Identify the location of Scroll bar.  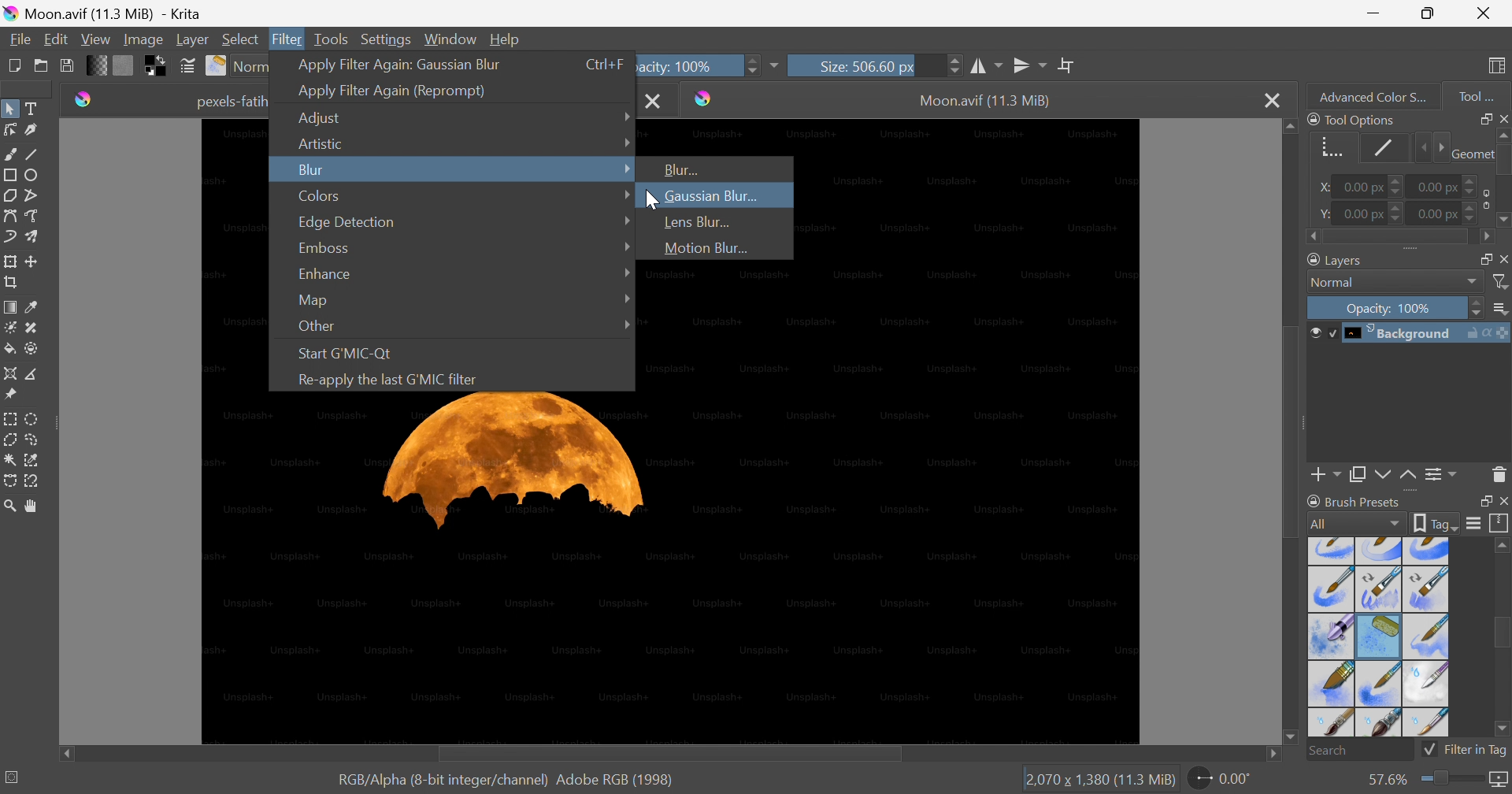
(1399, 238).